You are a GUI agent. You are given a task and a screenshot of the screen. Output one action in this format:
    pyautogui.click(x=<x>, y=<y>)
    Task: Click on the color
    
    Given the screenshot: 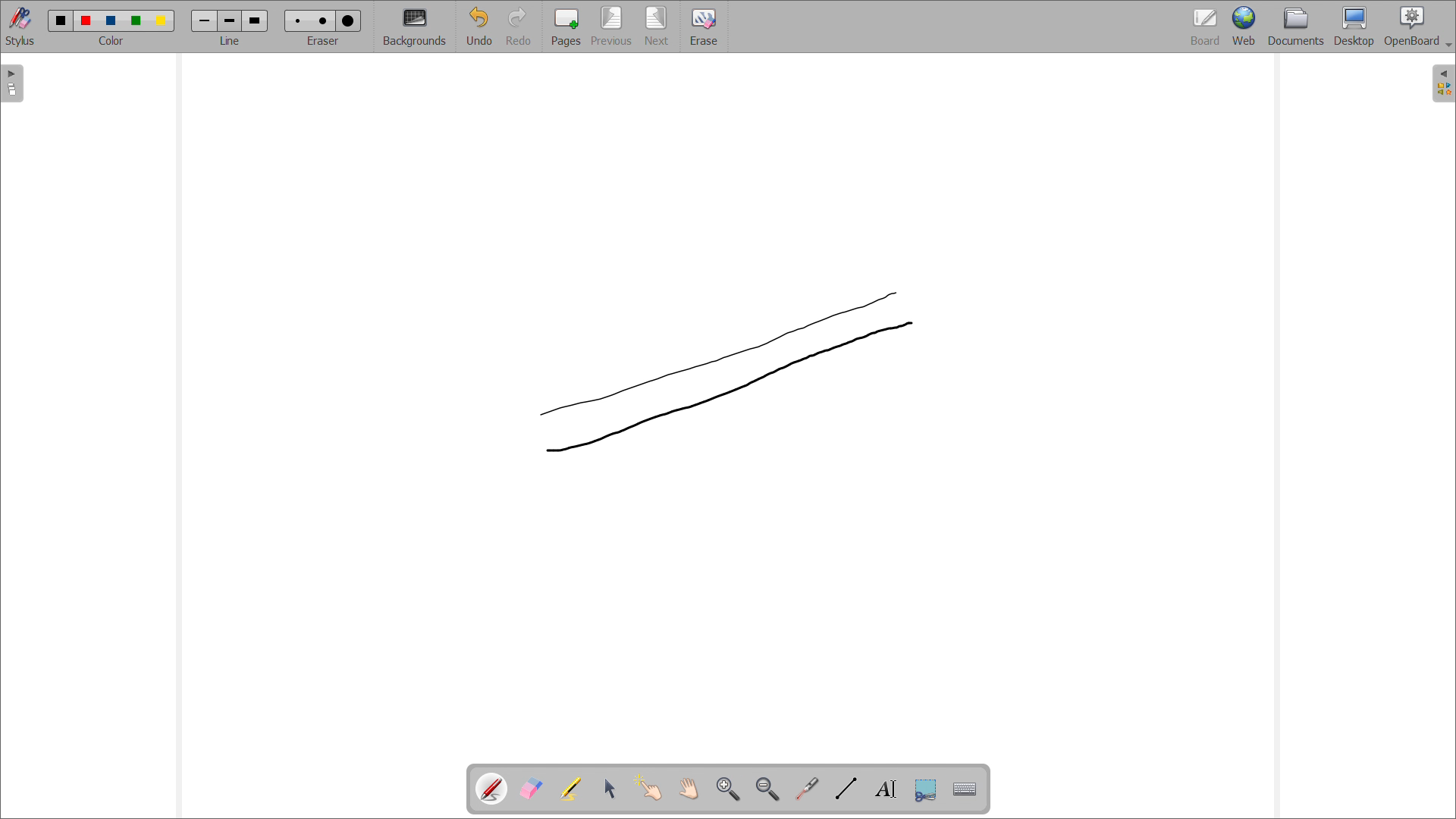 What is the action you would take?
    pyautogui.click(x=61, y=20)
    